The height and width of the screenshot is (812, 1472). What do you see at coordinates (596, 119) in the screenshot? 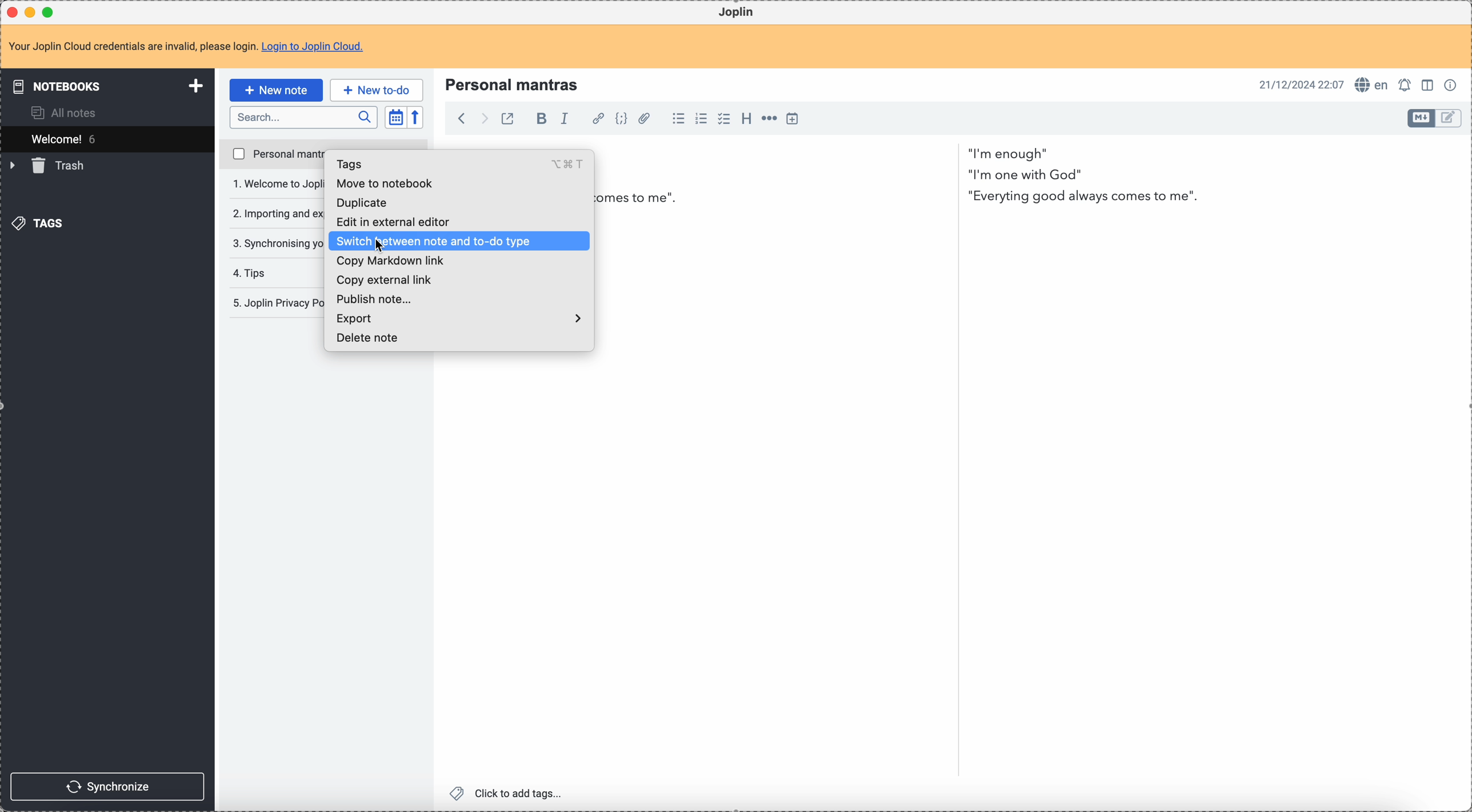
I see `hyperlink` at bounding box center [596, 119].